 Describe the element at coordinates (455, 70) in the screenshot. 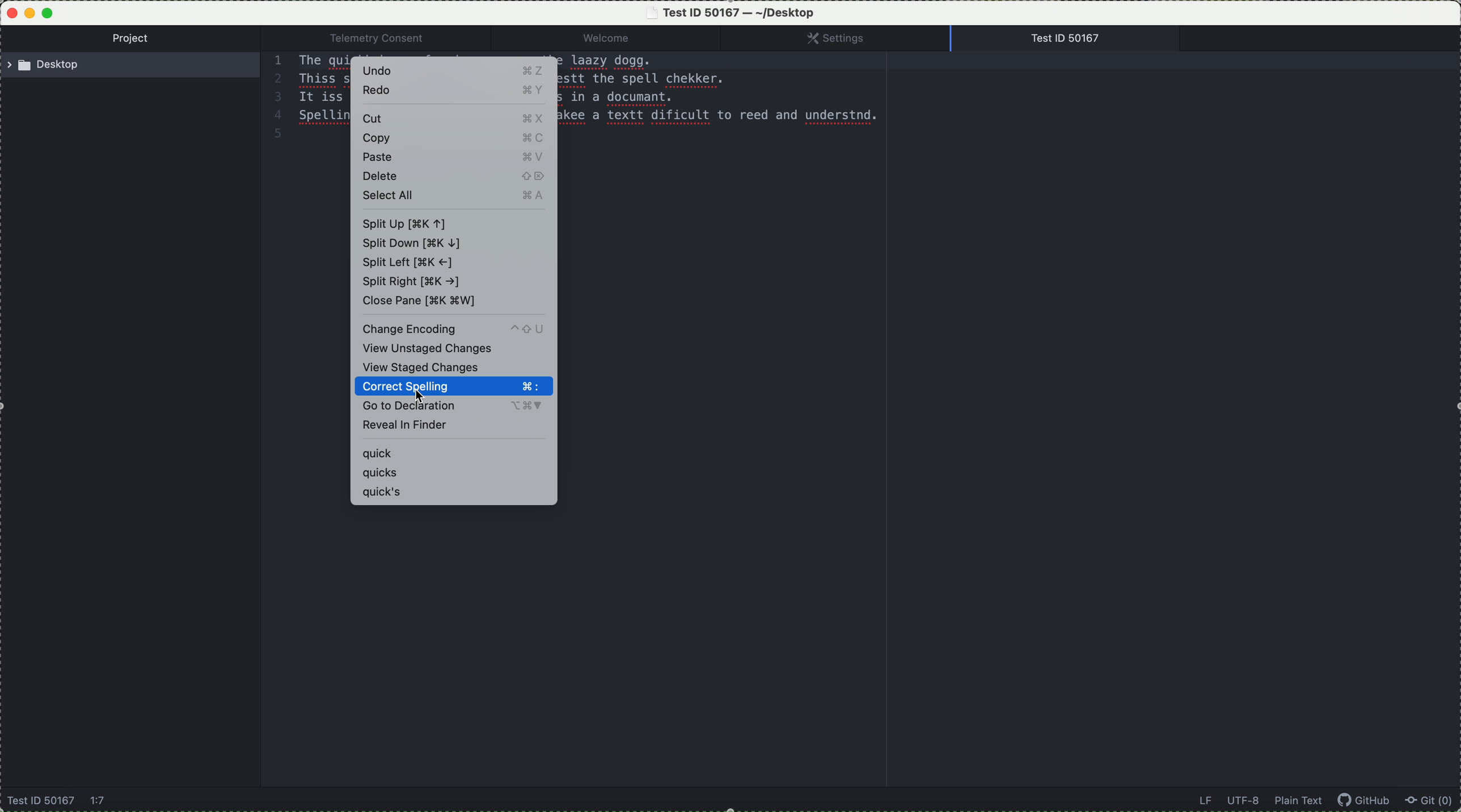

I see `undo` at that location.